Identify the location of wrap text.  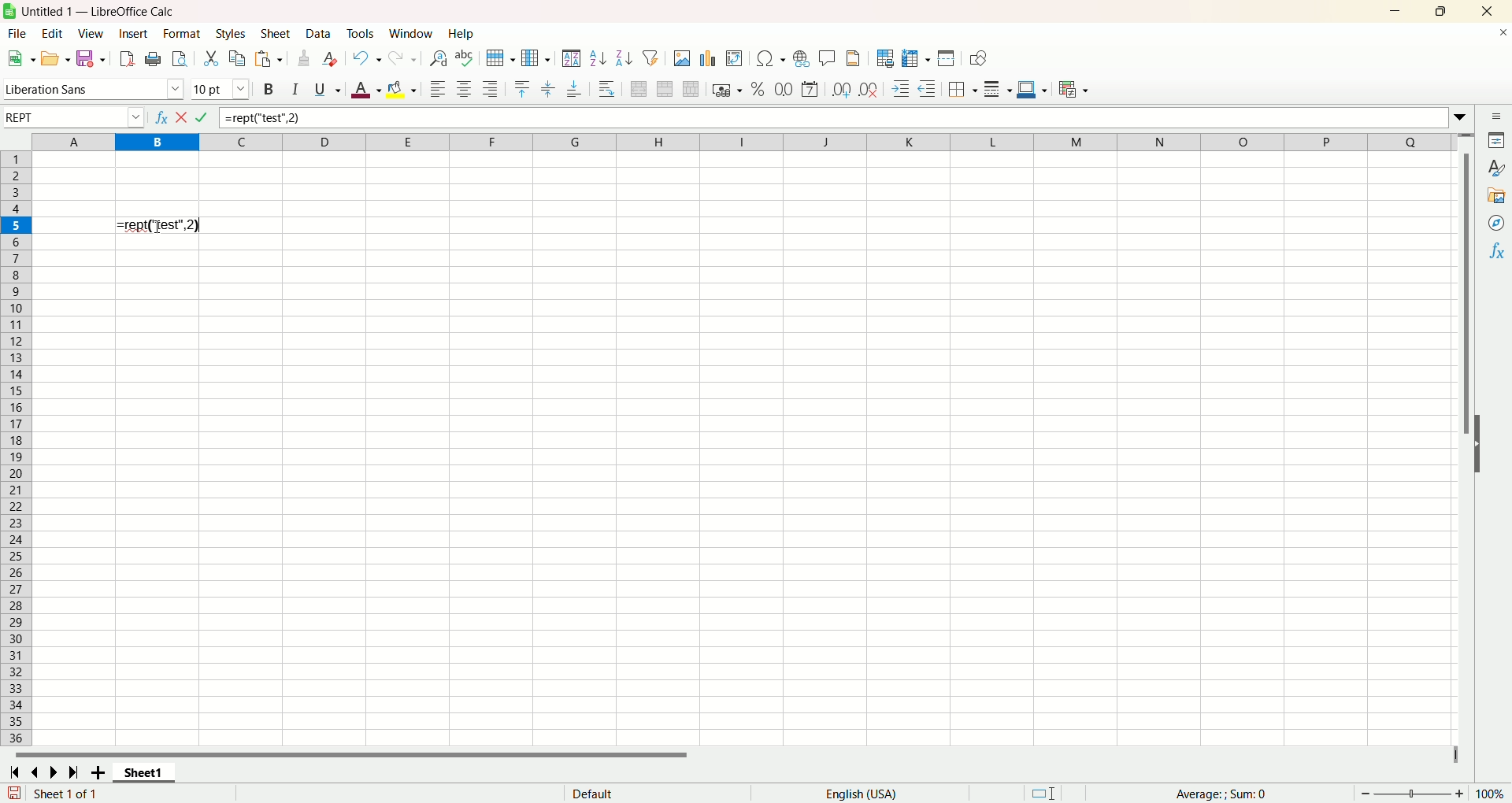
(610, 88).